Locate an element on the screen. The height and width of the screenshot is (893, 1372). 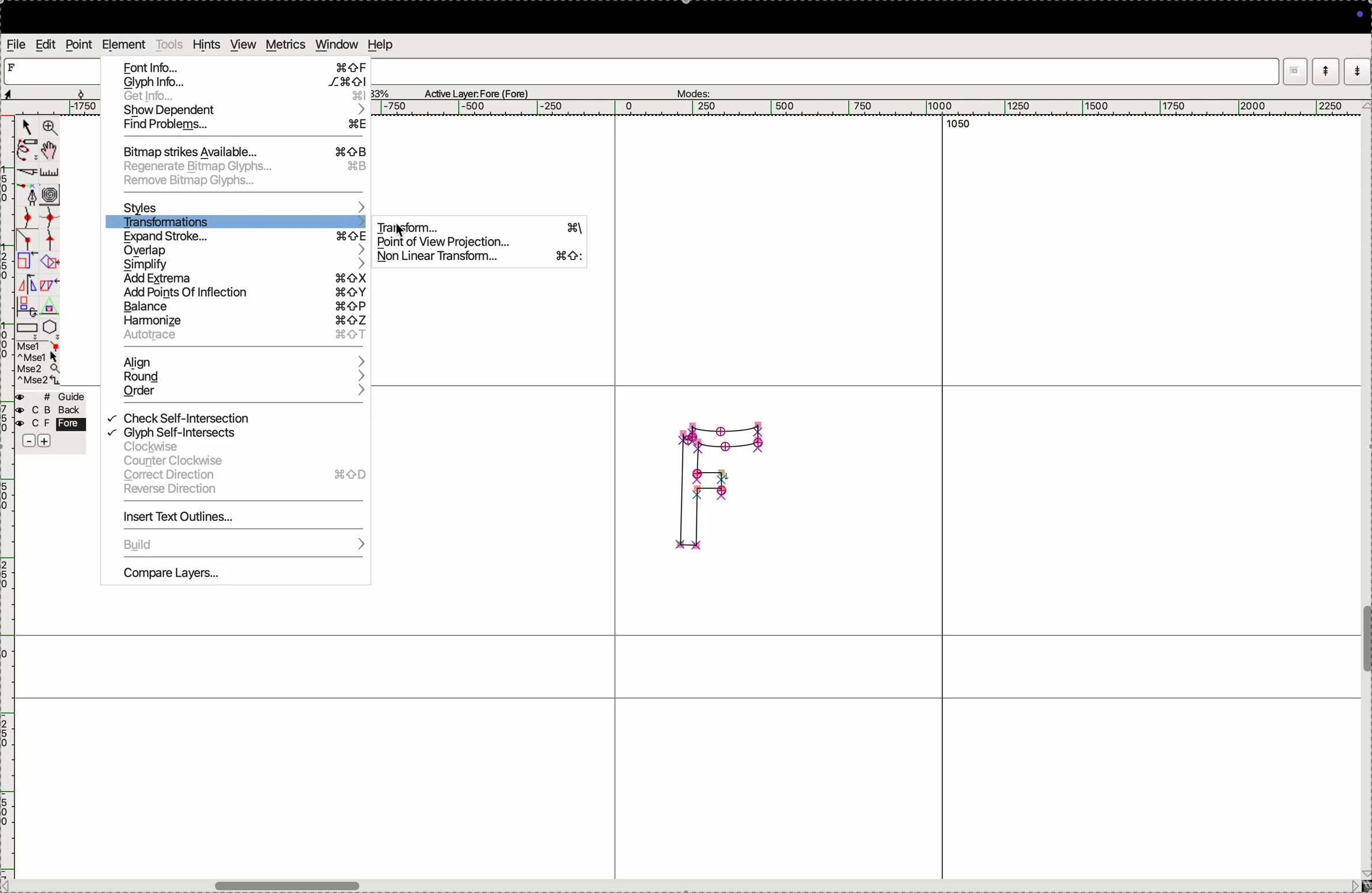
find problems is located at coordinates (244, 126).